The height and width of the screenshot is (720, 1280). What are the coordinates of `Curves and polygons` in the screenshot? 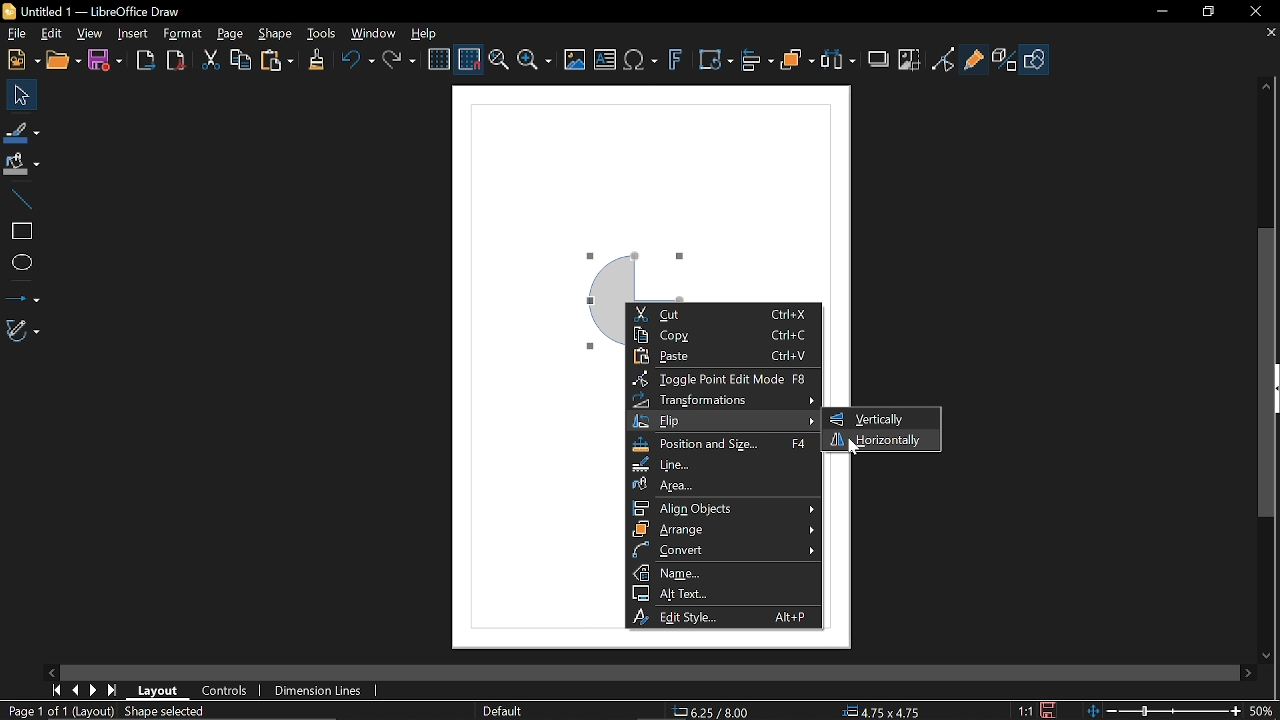 It's located at (25, 331).